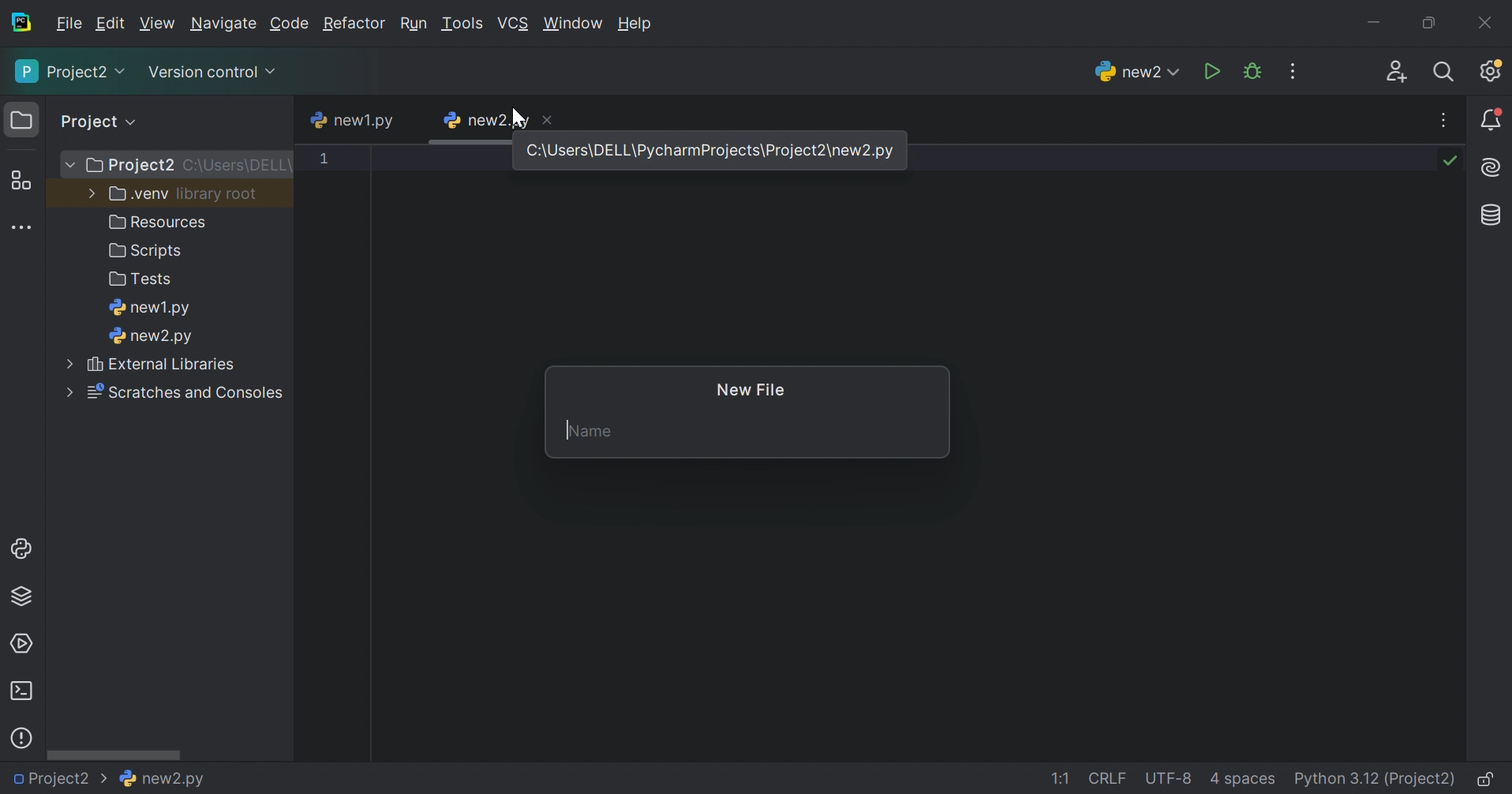 The height and width of the screenshot is (794, 1512). Describe the element at coordinates (114, 757) in the screenshot. I see `Scroll bar` at that location.